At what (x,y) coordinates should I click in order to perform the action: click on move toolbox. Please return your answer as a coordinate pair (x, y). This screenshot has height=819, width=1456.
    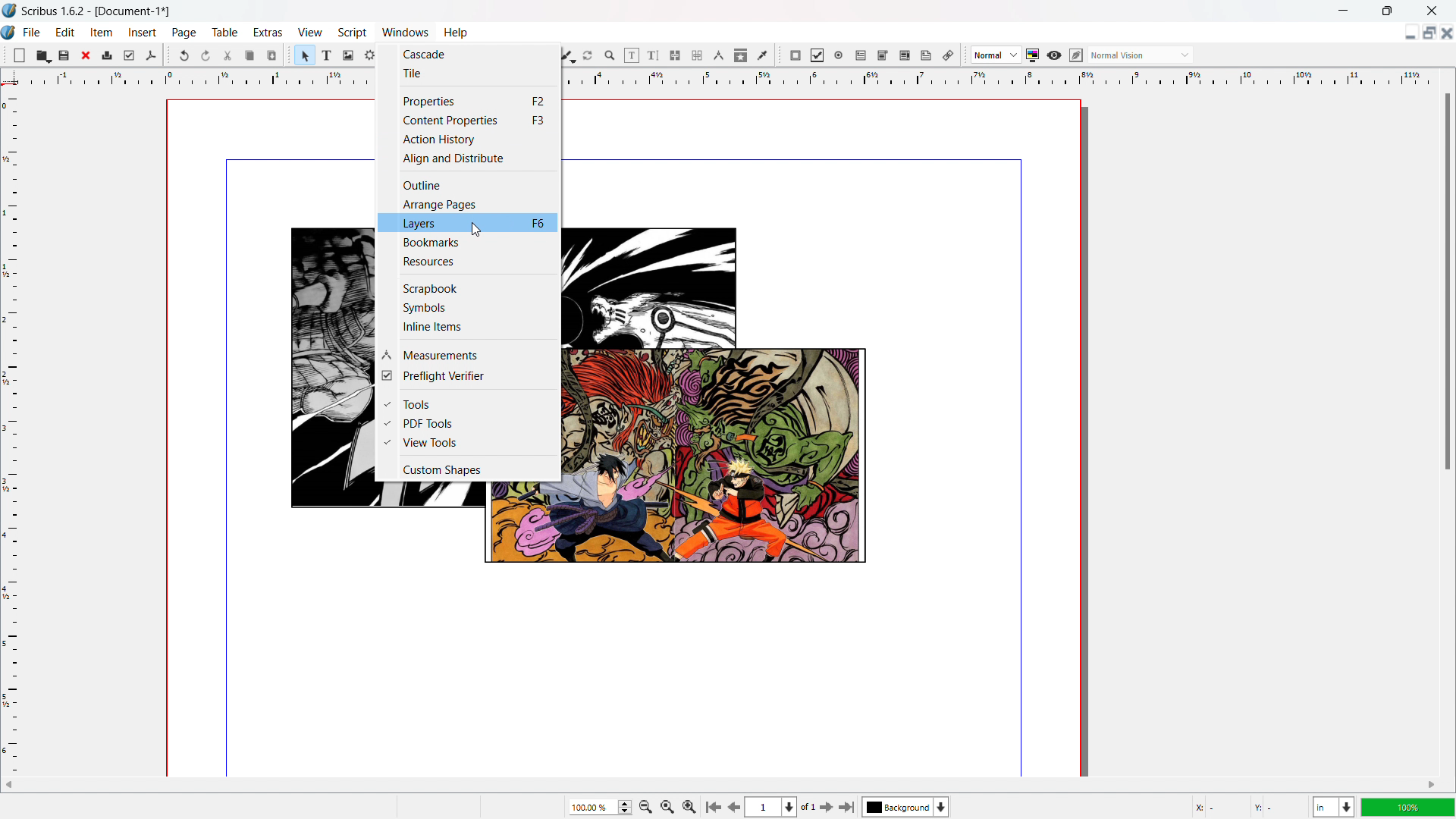
    Looking at the image, I should click on (289, 54).